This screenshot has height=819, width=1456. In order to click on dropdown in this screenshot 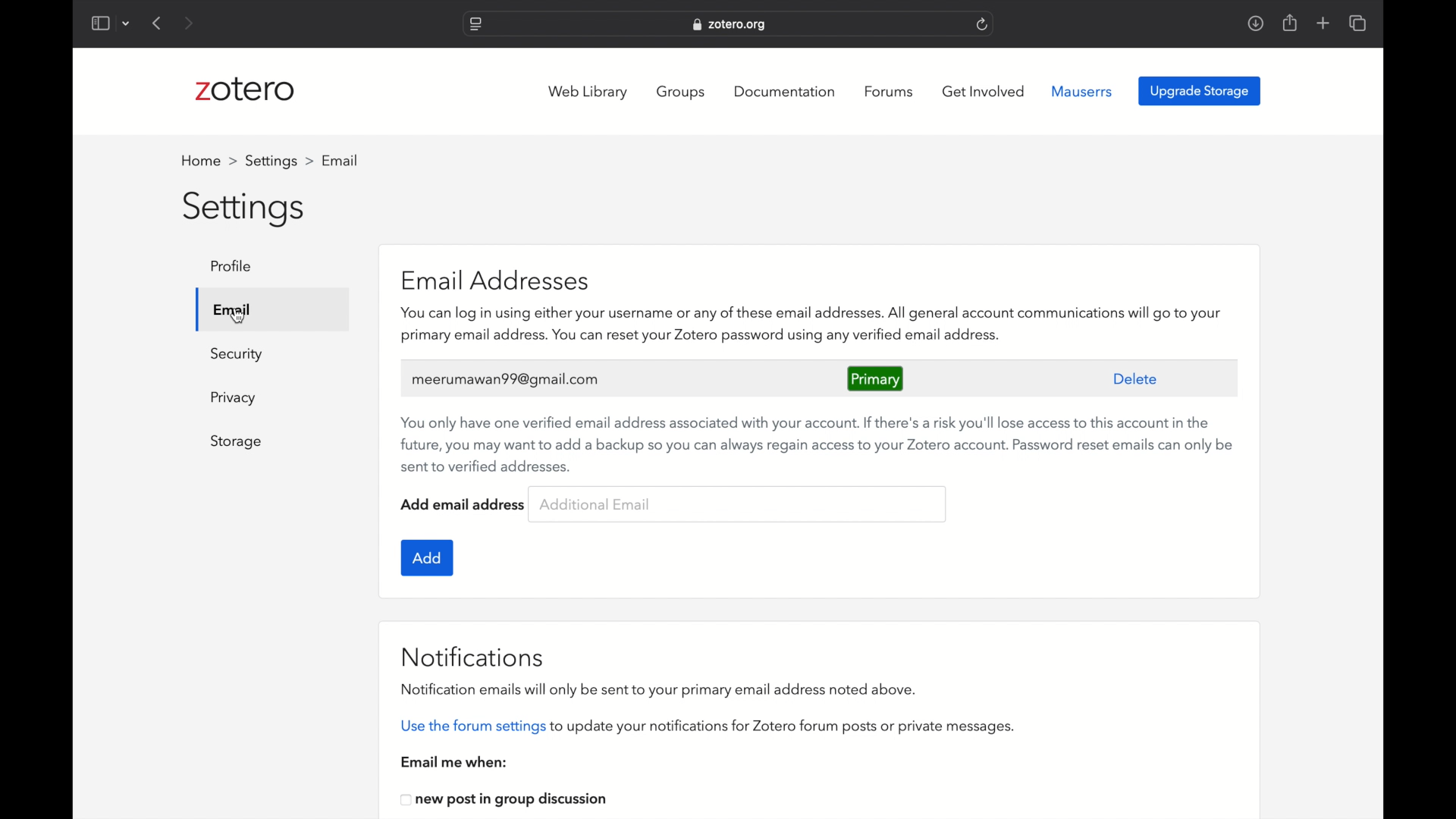, I will do `click(127, 24)`.